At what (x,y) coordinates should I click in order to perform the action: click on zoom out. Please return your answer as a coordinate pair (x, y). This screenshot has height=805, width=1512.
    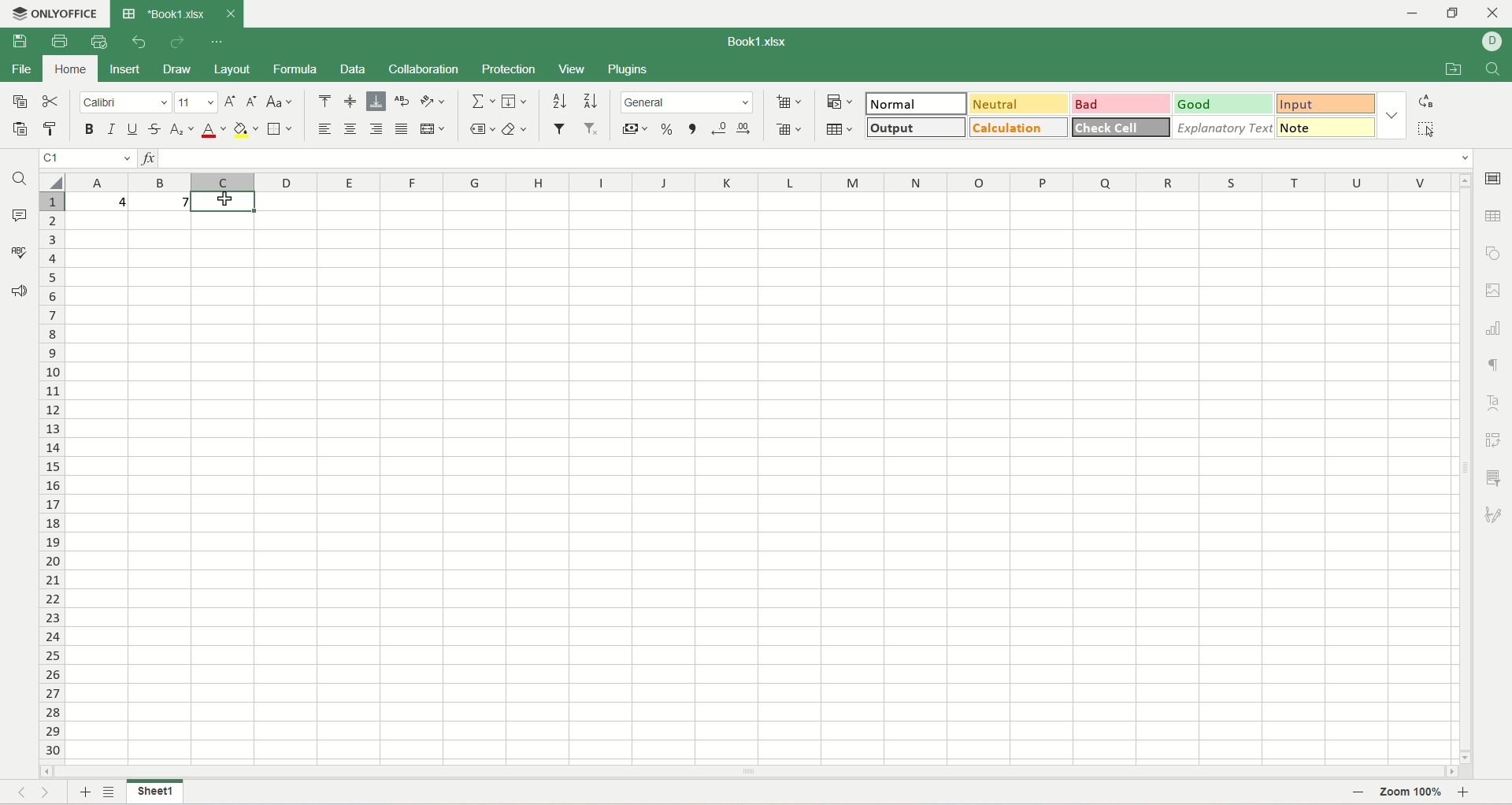
    Looking at the image, I should click on (1354, 793).